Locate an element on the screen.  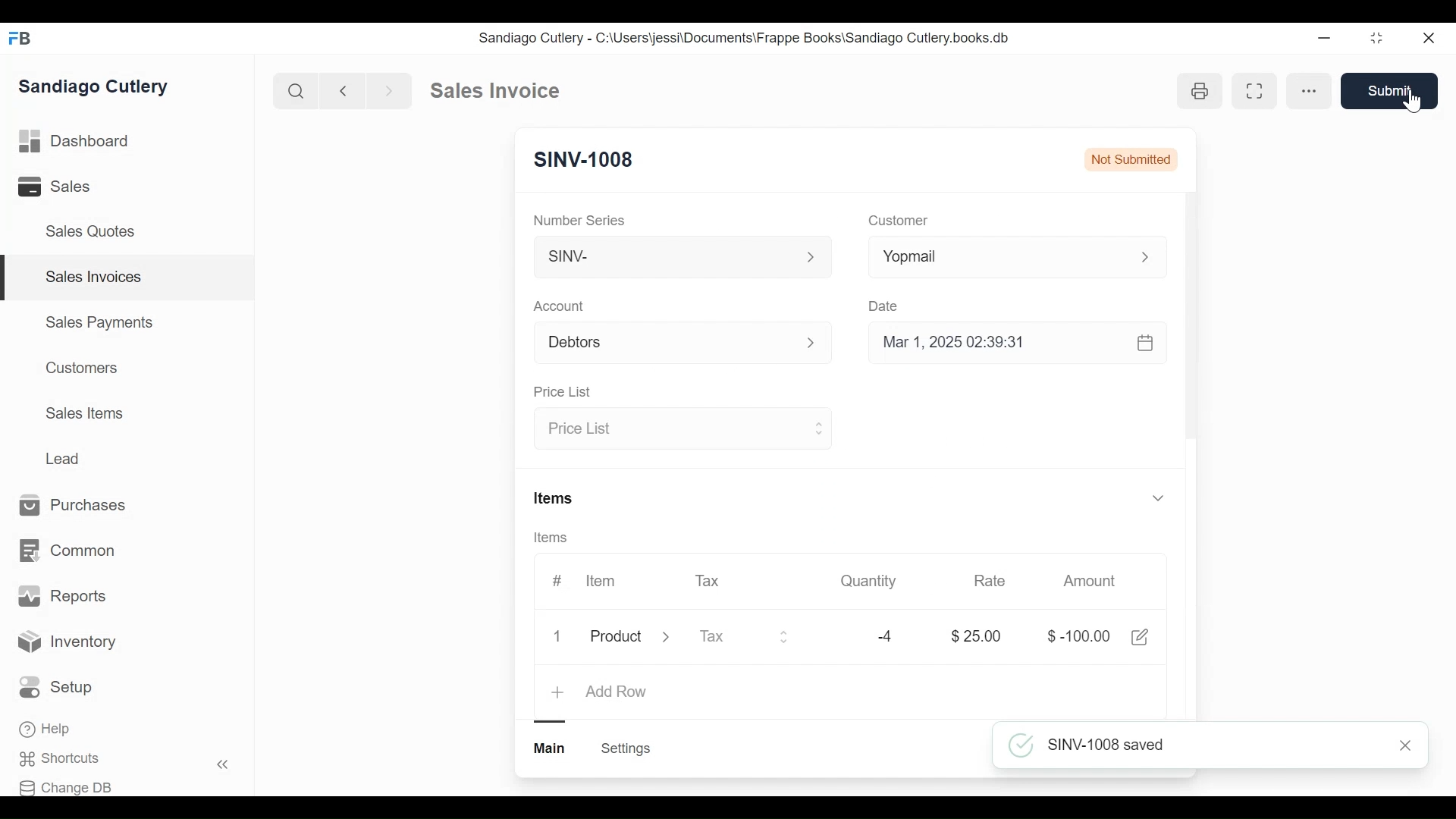
Setup is located at coordinates (56, 687).